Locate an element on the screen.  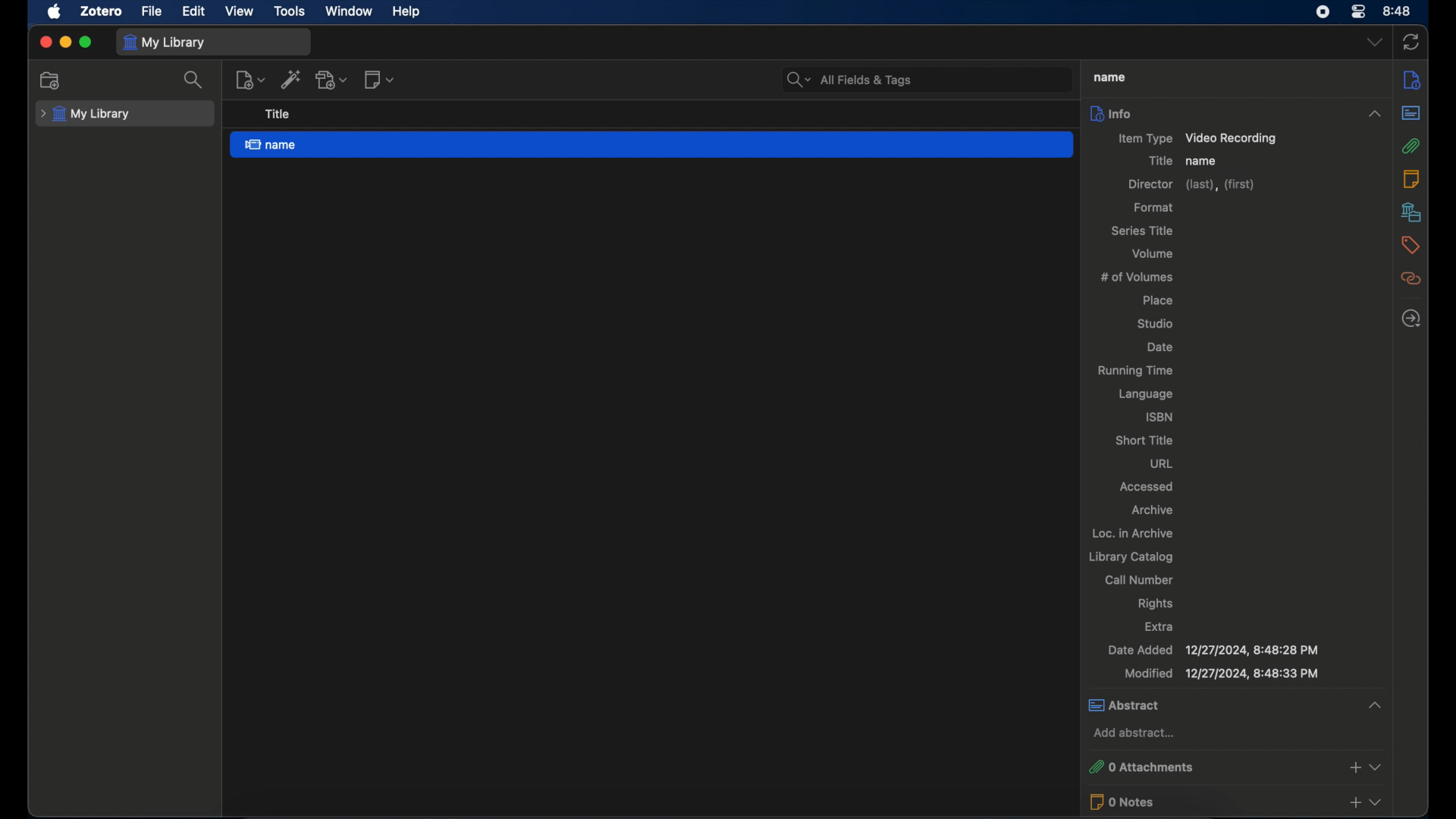
dropdown is located at coordinates (1377, 767).